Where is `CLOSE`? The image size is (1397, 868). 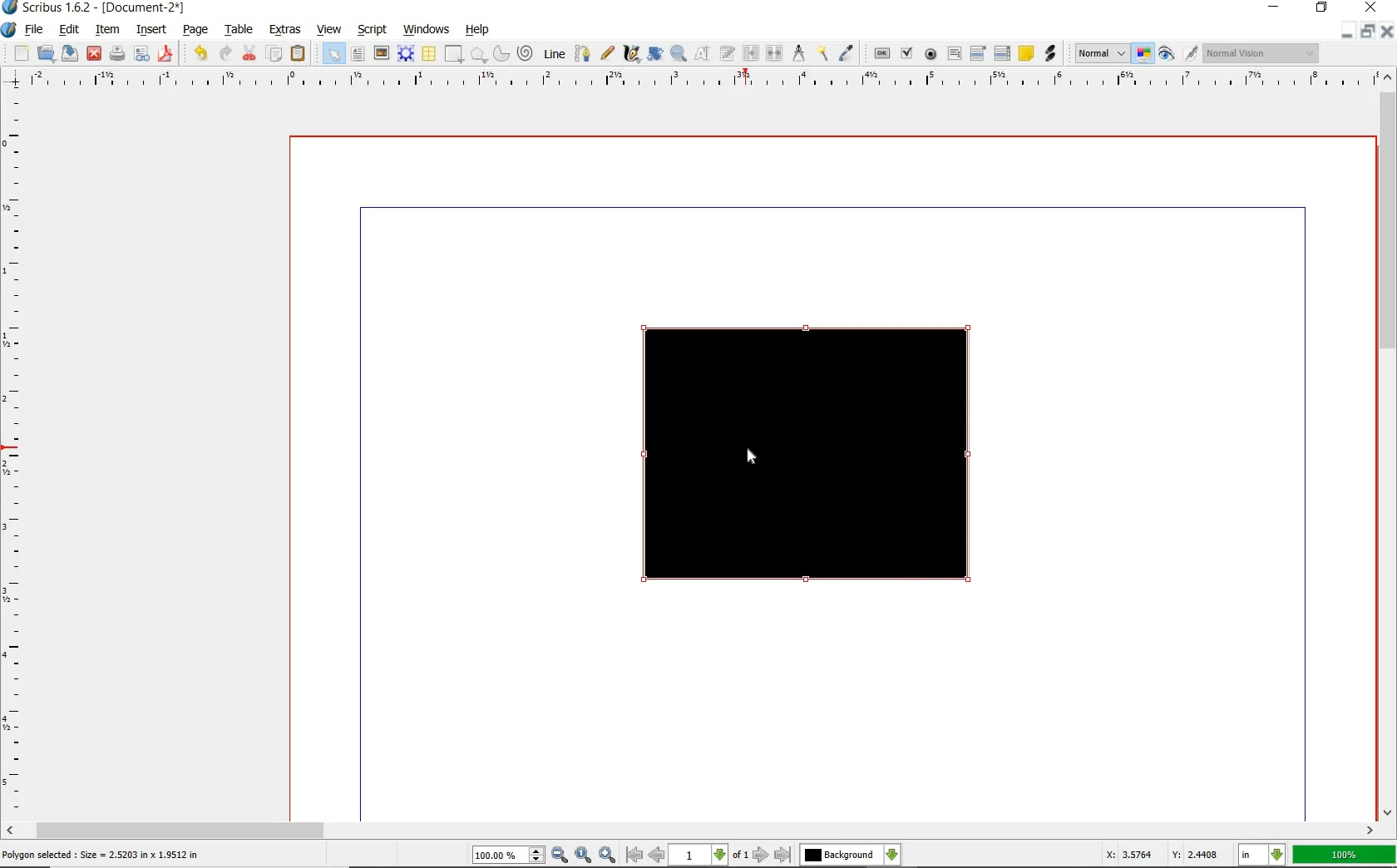 CLOSE is located at coordinates (1385, 33).